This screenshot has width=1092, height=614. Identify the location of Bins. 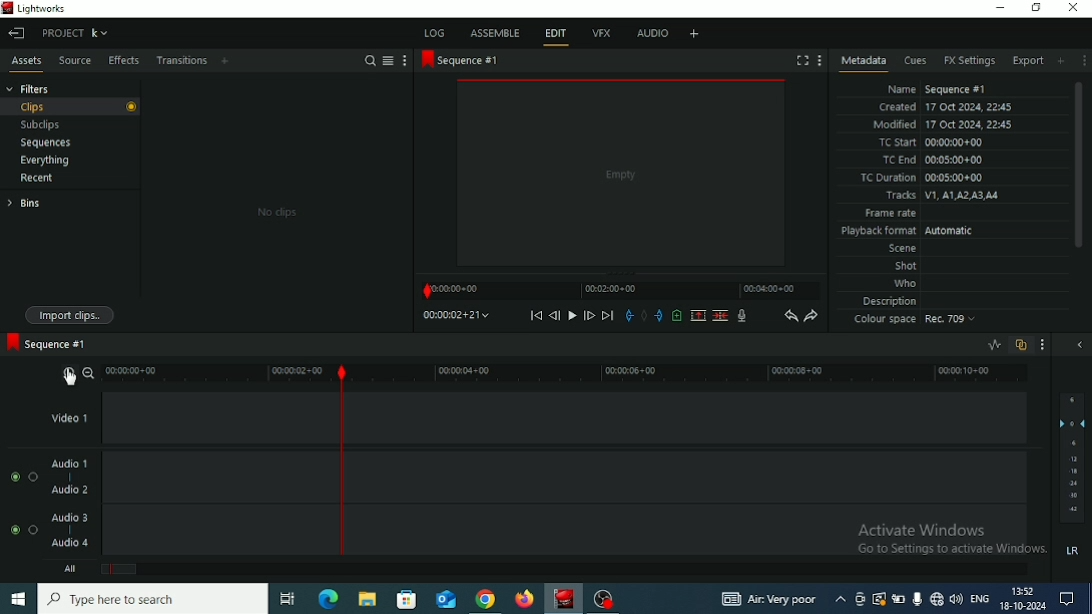
(23, 203).